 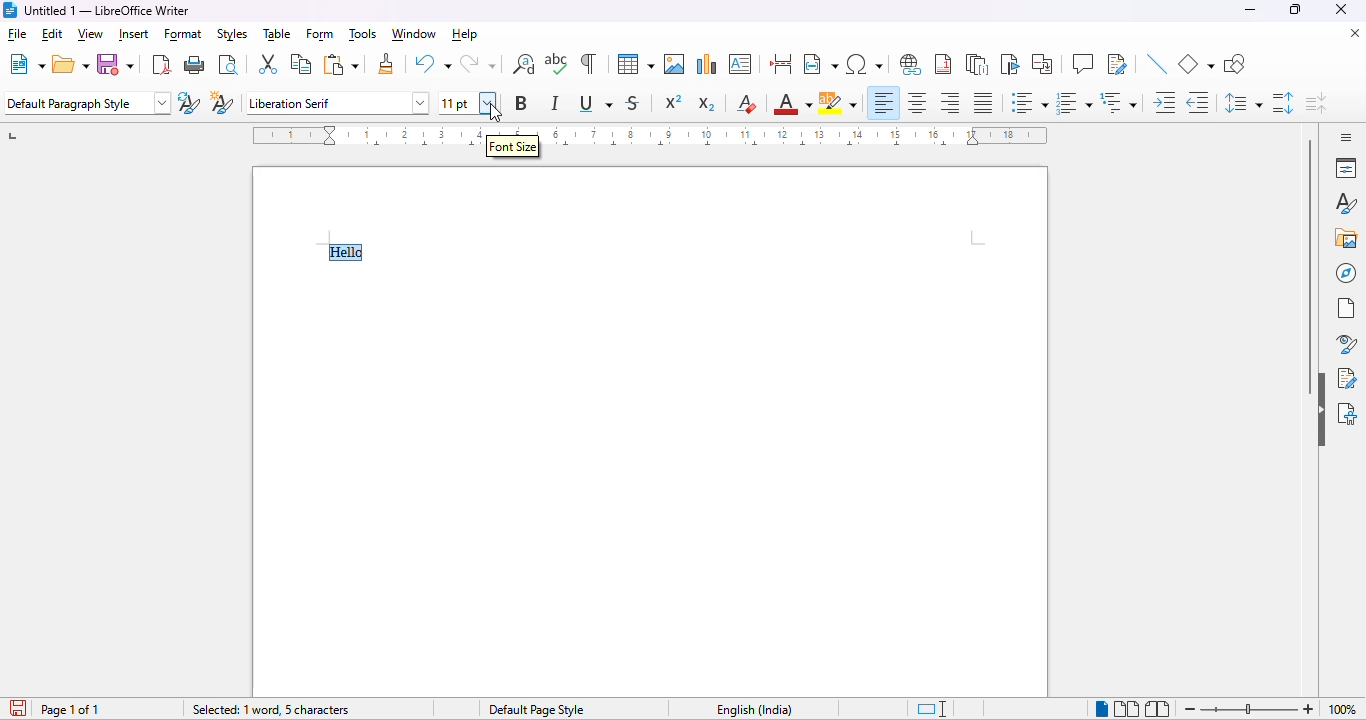 What do you see at coordinates (1043, 64) in the screenshot?
I see `insert cross-reference` at bounding box center [1043, 64].